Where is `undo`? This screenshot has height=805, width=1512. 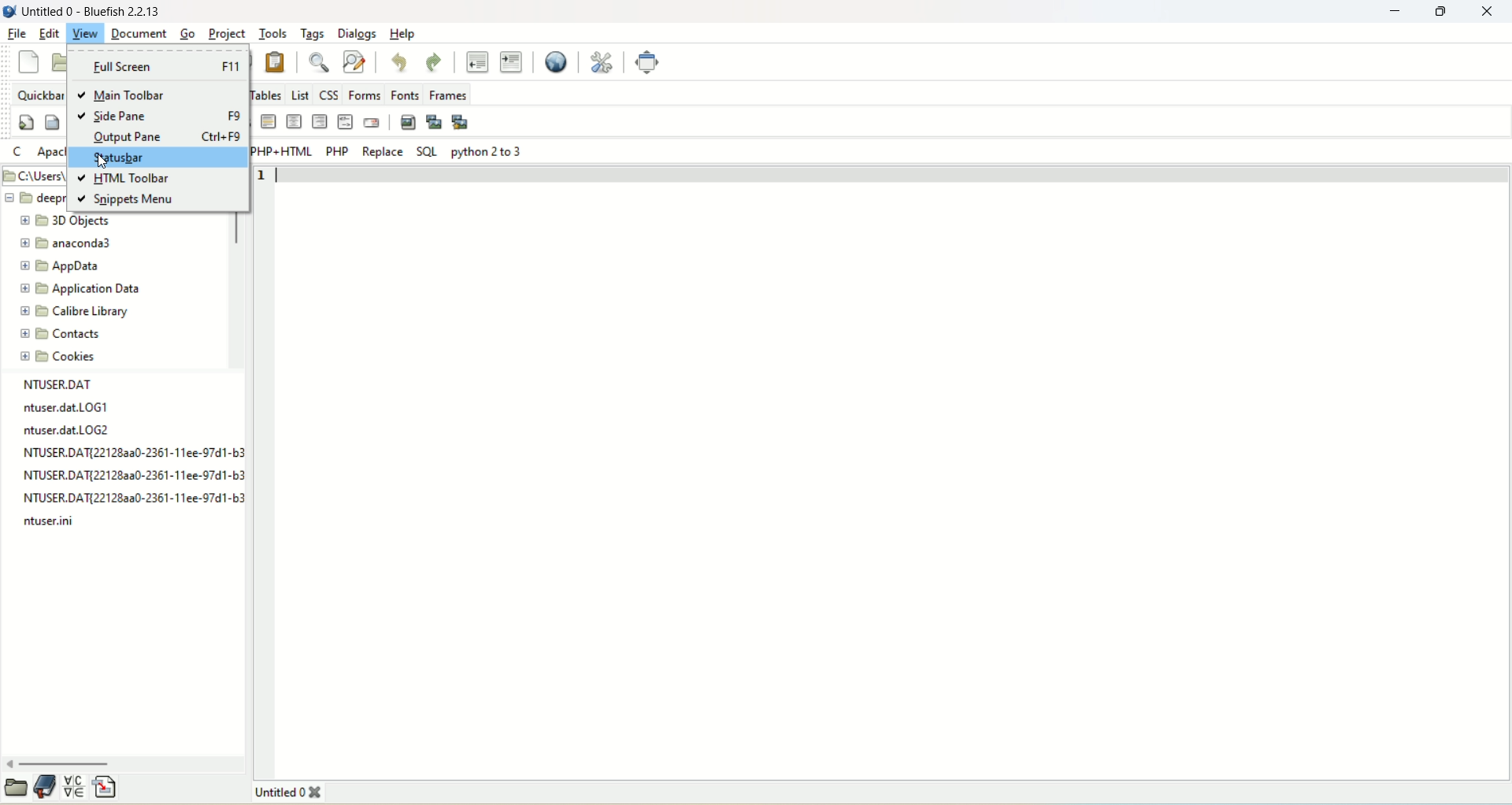
undo is located at coordinates (401, 61).